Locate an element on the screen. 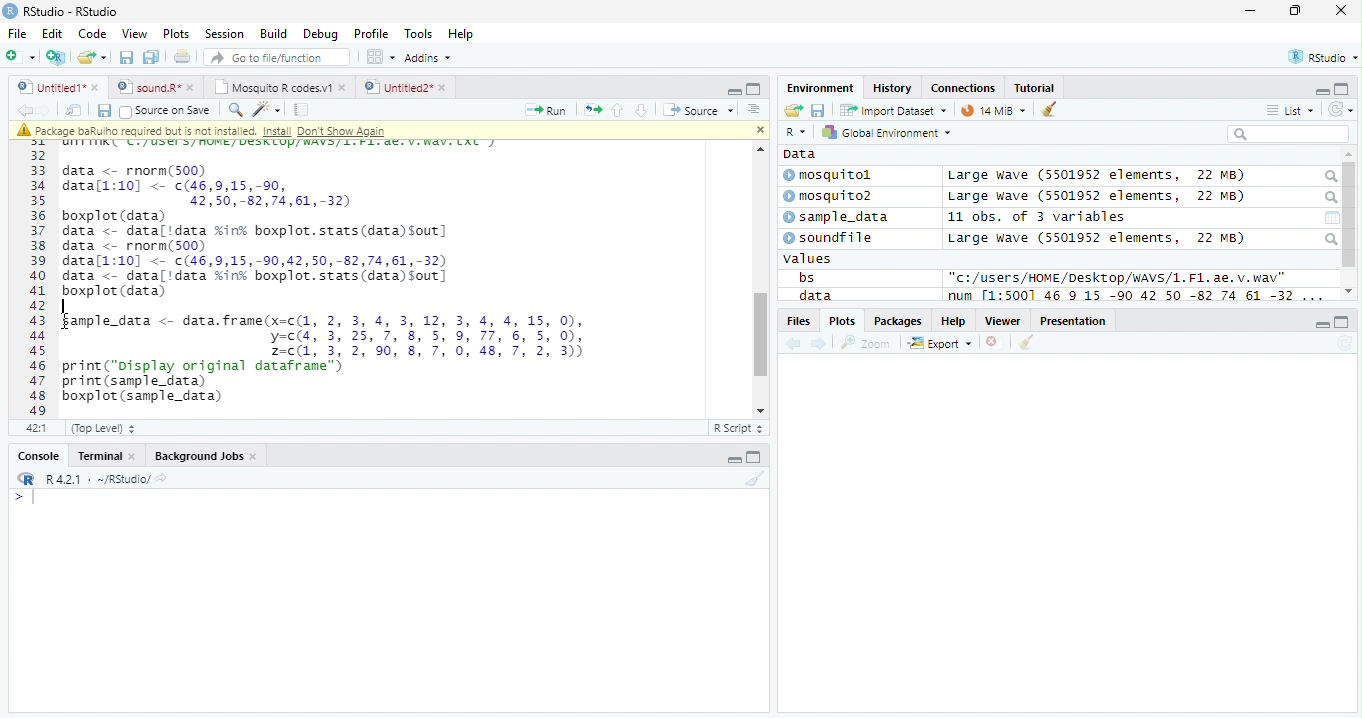  scroll down is located at coordinates (756, 410).